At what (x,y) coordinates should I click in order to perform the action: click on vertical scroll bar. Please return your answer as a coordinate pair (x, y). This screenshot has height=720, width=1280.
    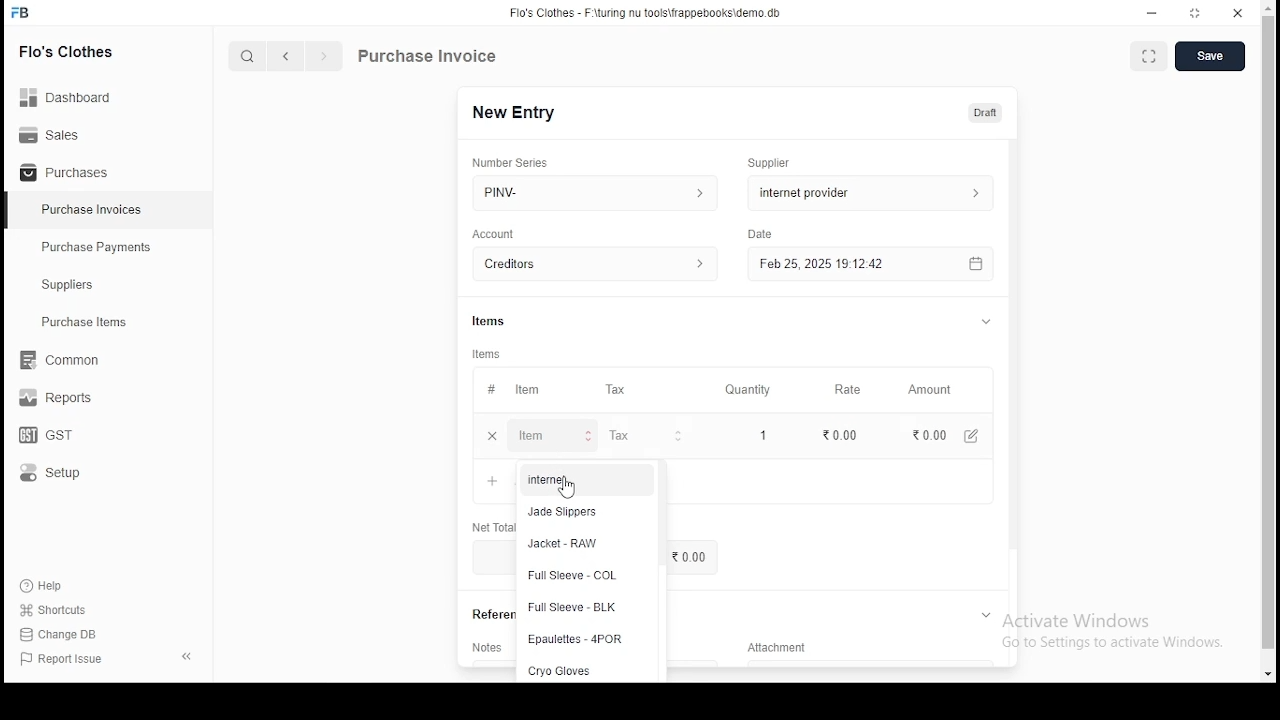
    Looking at the image, I should click on (1269, 333).